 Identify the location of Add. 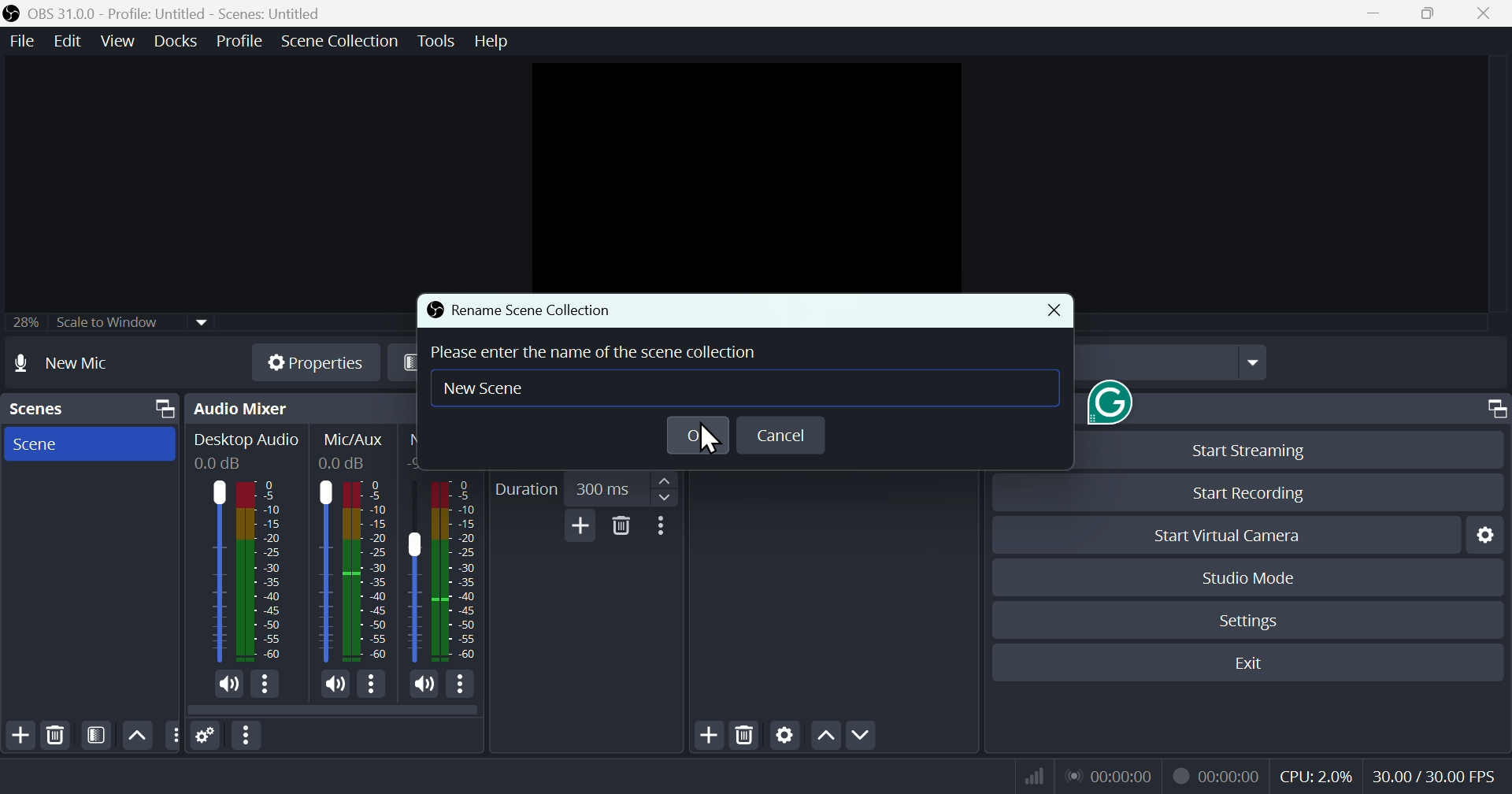
(17, 734).